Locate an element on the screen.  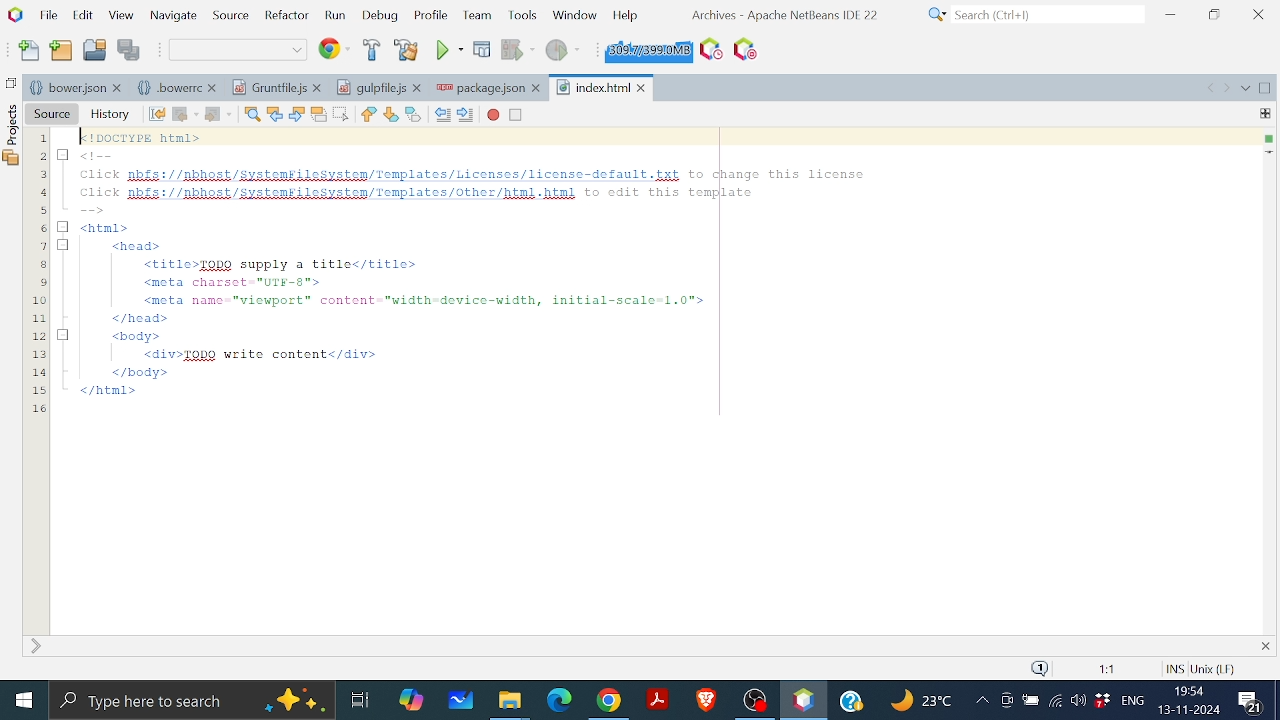
1 2 3 4 5 6. 7 8 9 10 11 12 13 14 15 16 is located at coordinates (40, 277).